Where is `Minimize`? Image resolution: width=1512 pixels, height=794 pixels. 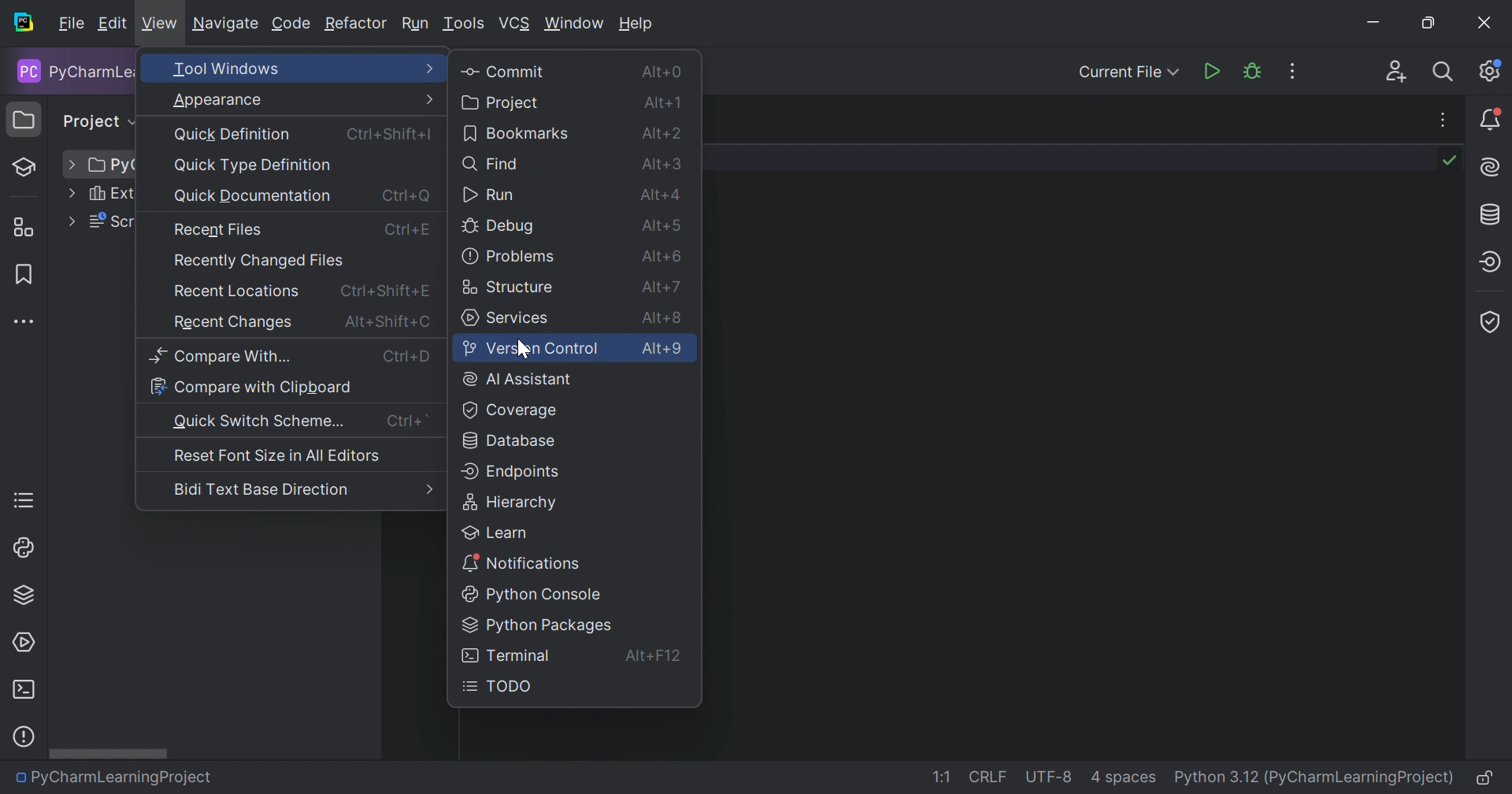
Minimize is located at coordinates (1377, 22).